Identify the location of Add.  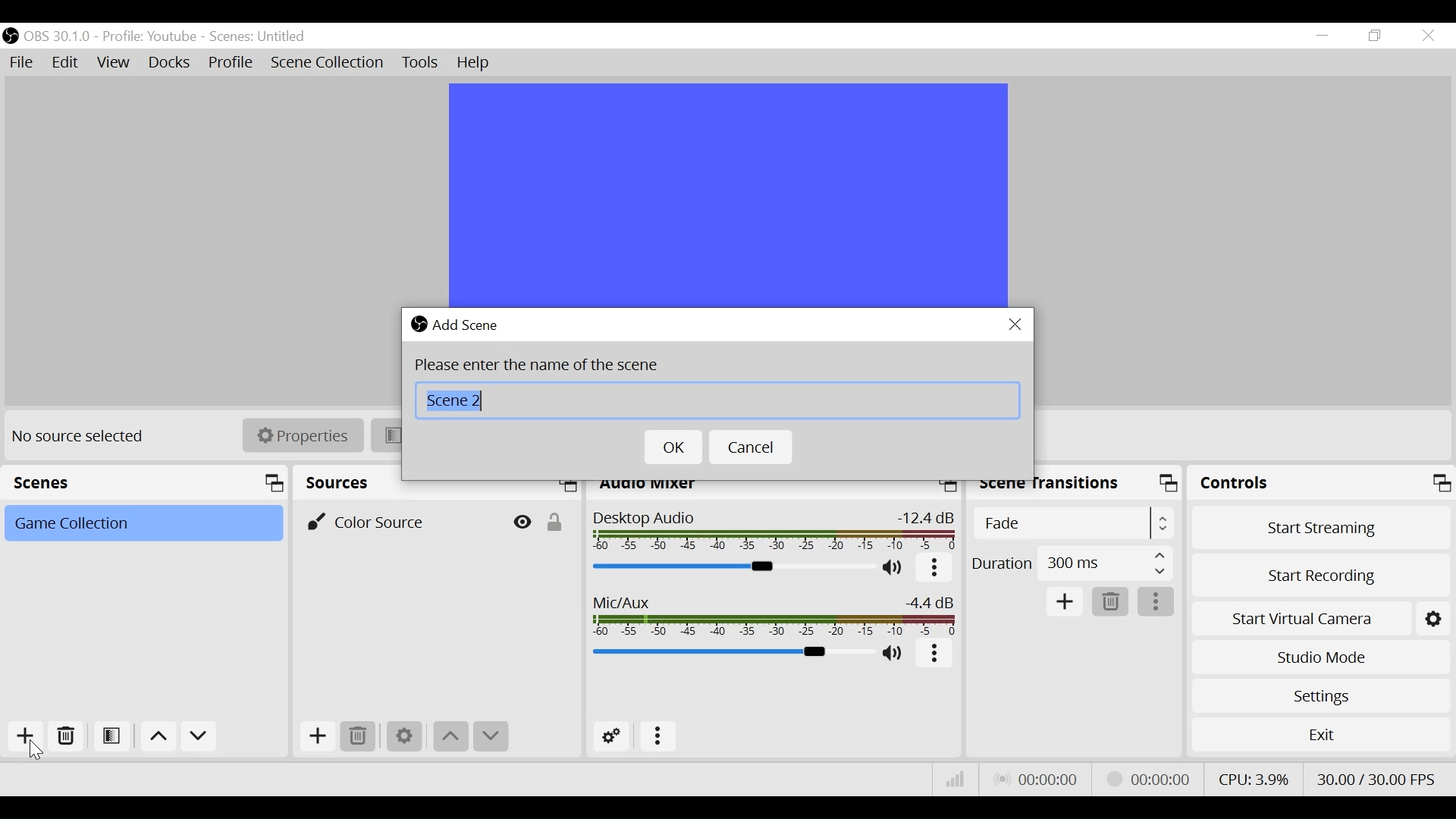
(24, 736).